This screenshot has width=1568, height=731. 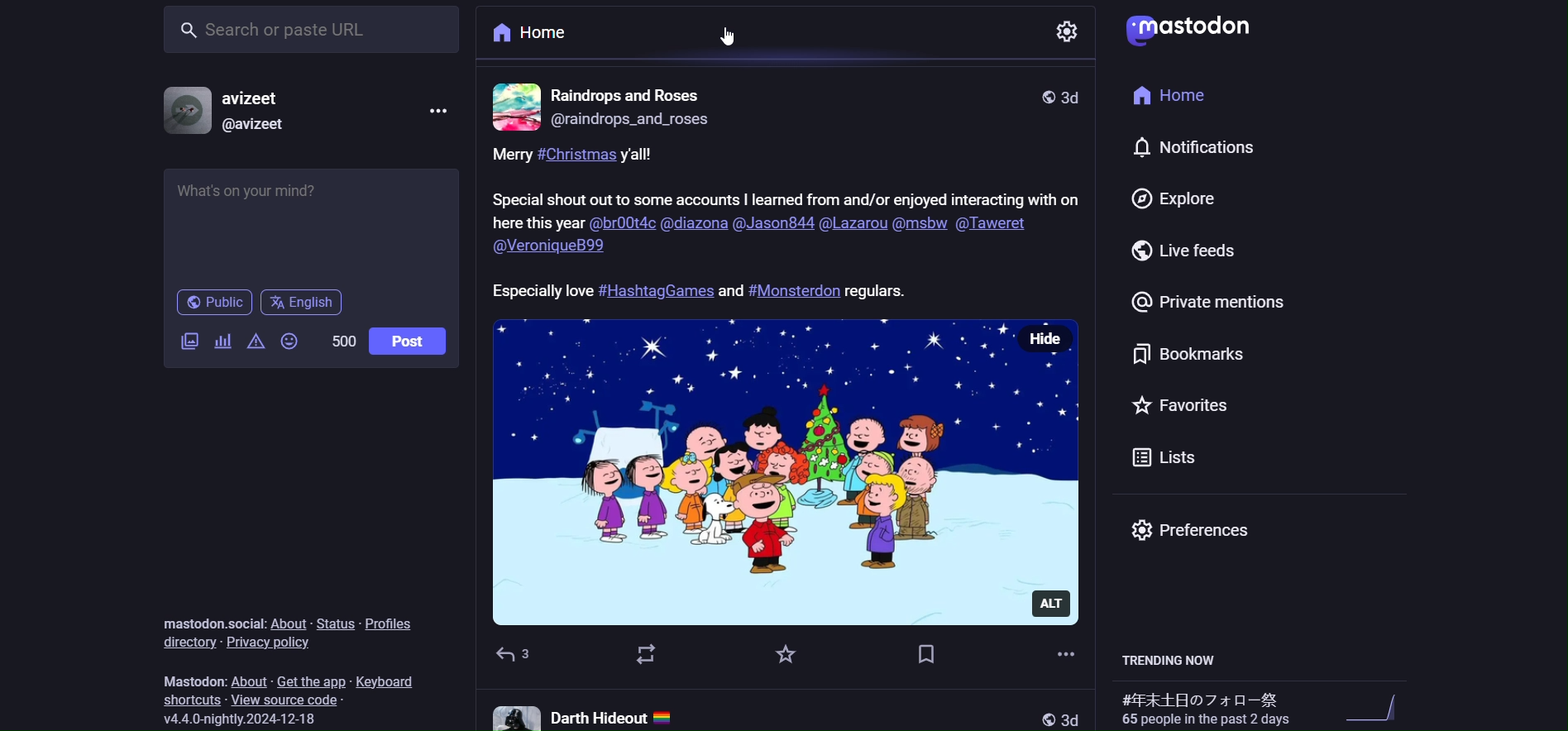 What do you see at coordinates (788, 227) in the screenshot?
I see `caption` at bounding box center [788, 227].